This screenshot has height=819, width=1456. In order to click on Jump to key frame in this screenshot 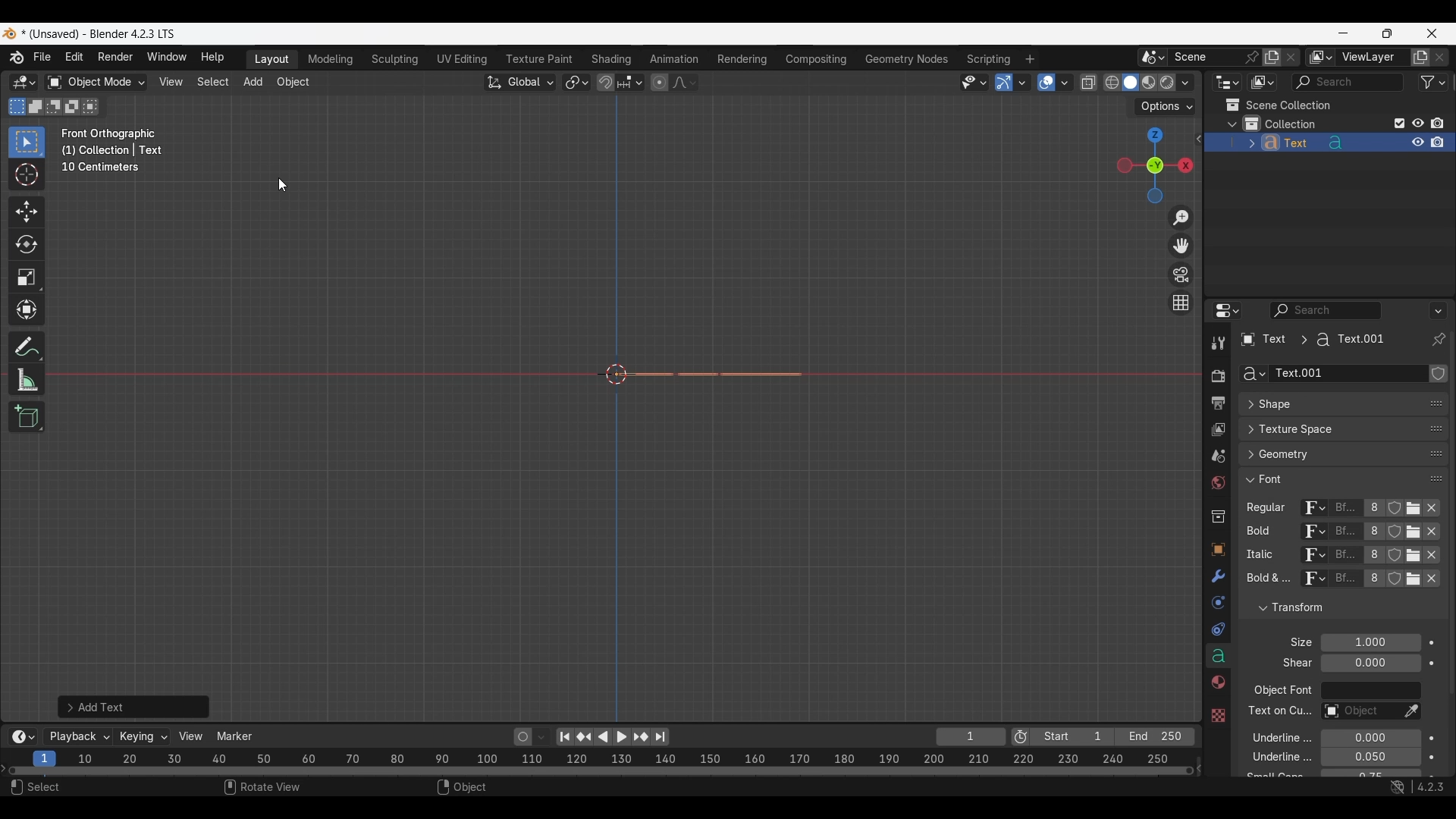, I will do `click(641, 737)`.